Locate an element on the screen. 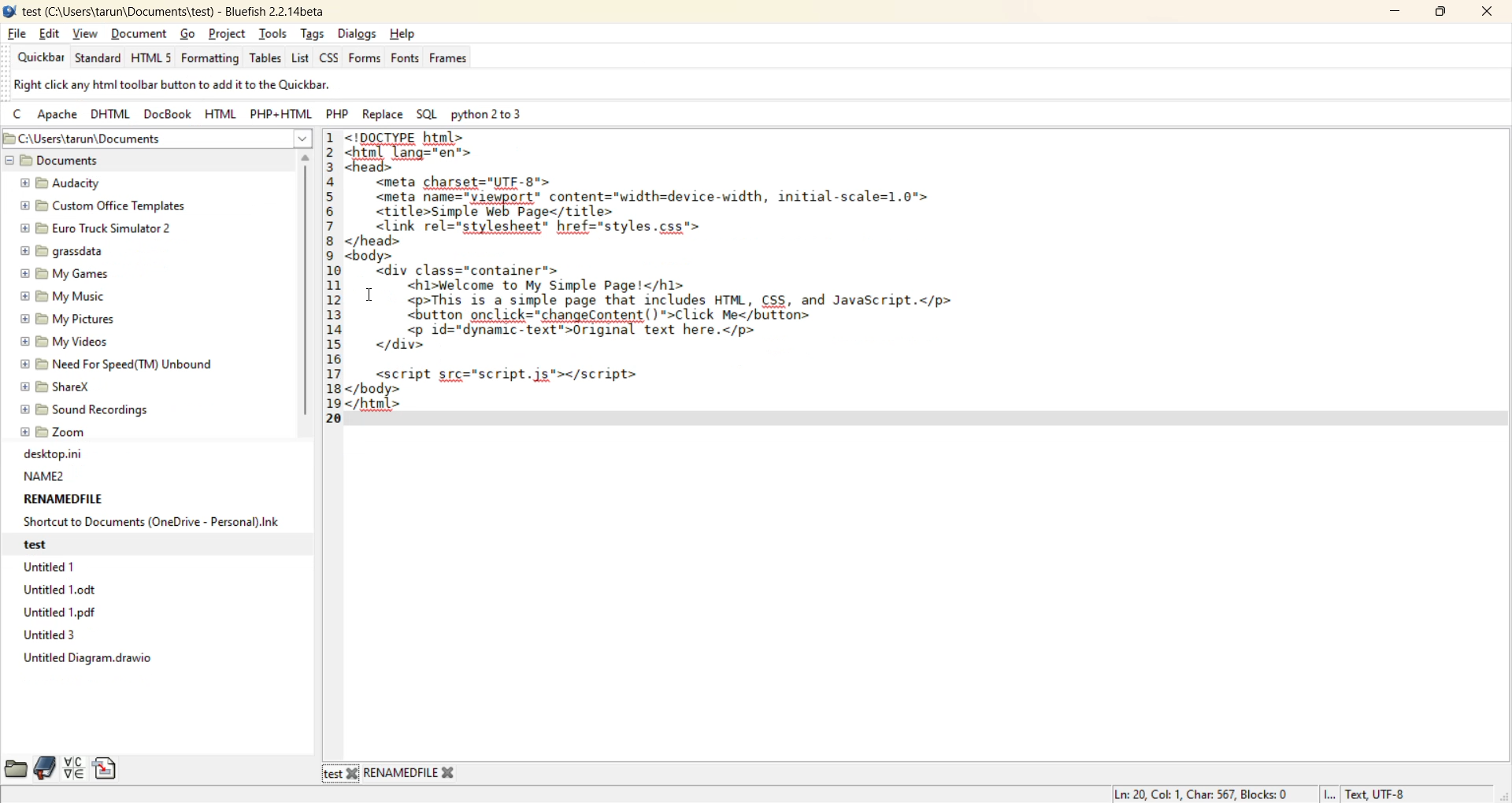  file name and app name is located at coordinates (171, 11).